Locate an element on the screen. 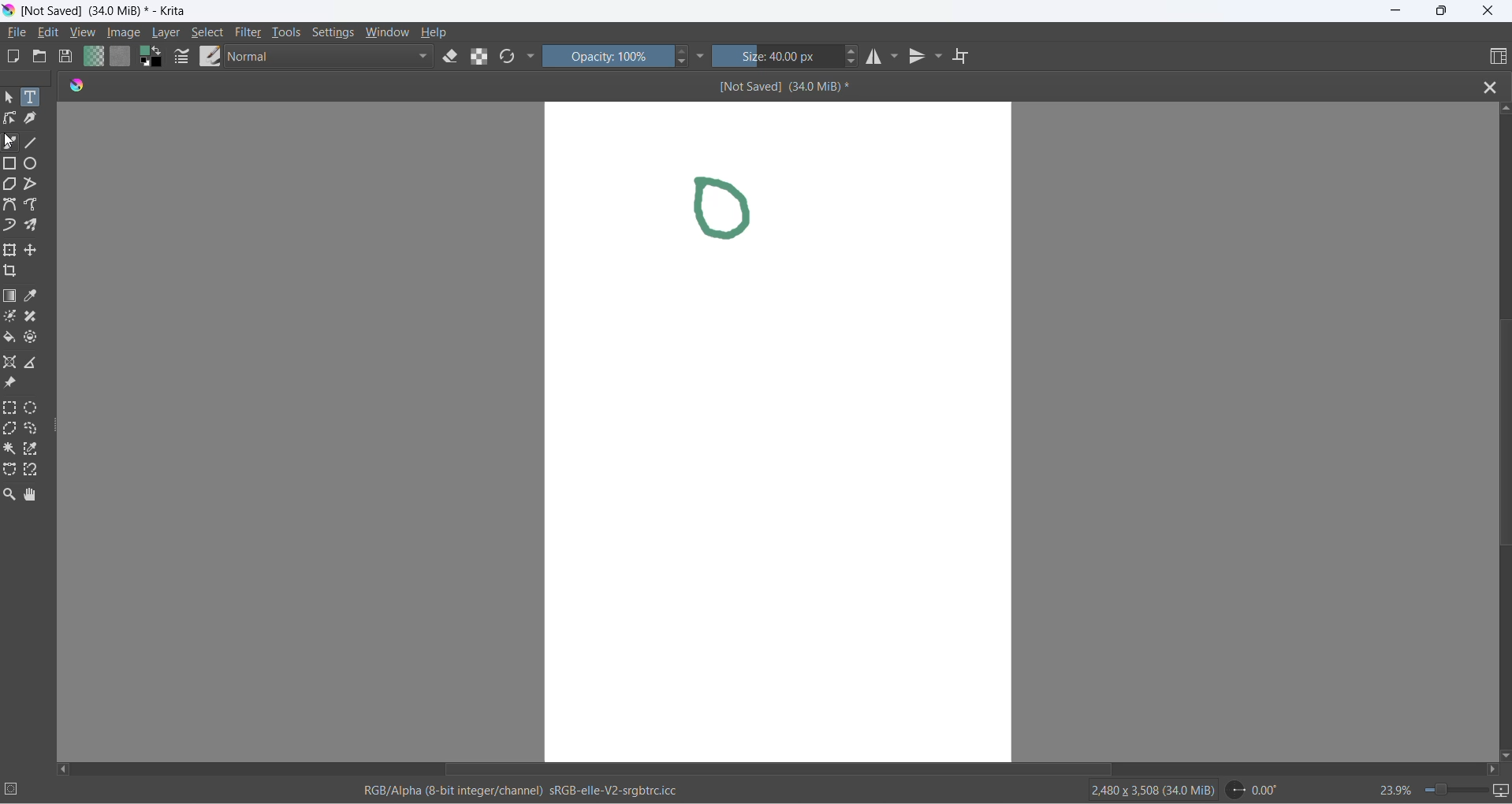  draw gradient is located at coordinates (11, 297).